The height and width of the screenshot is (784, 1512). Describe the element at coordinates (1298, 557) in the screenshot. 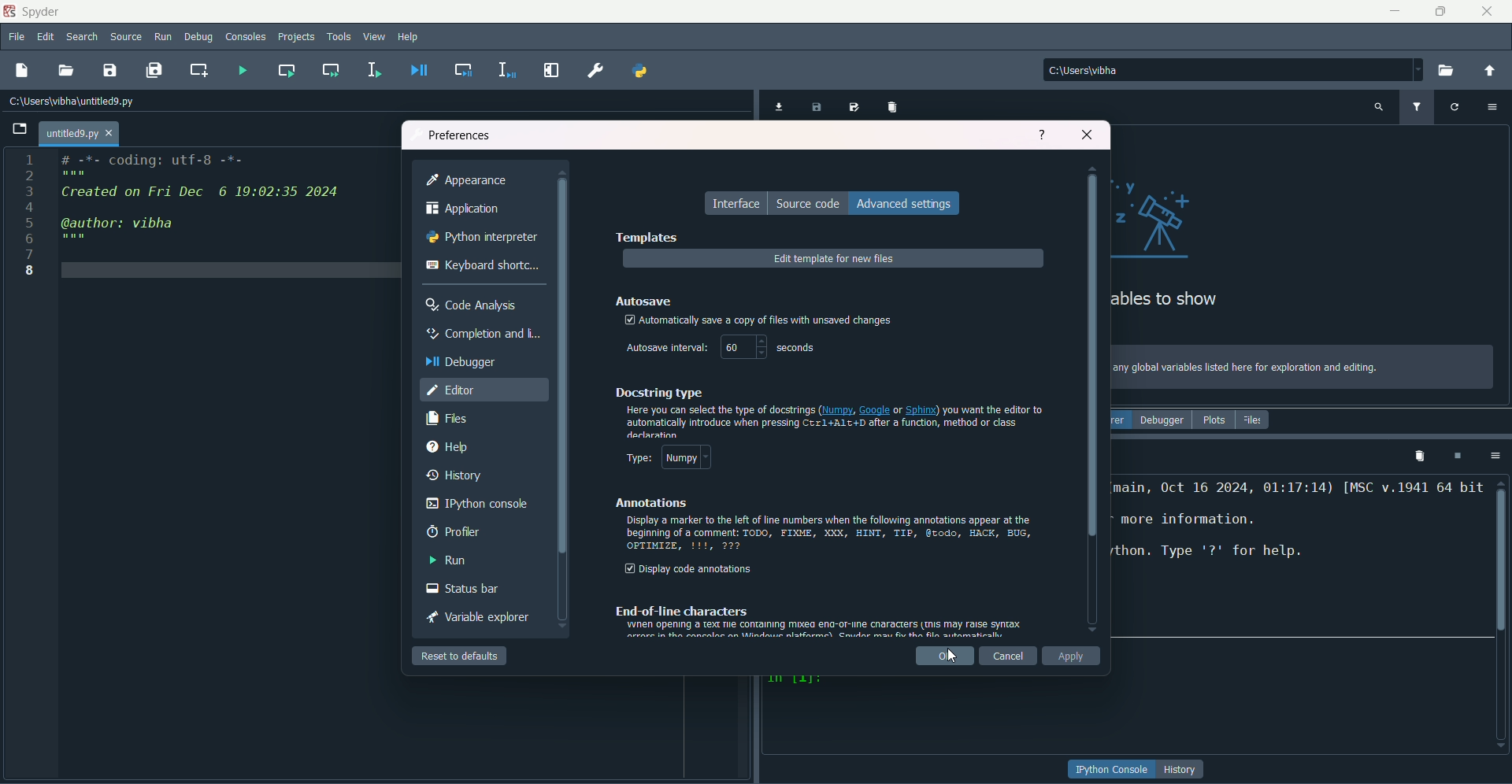

I see `text` at that location.